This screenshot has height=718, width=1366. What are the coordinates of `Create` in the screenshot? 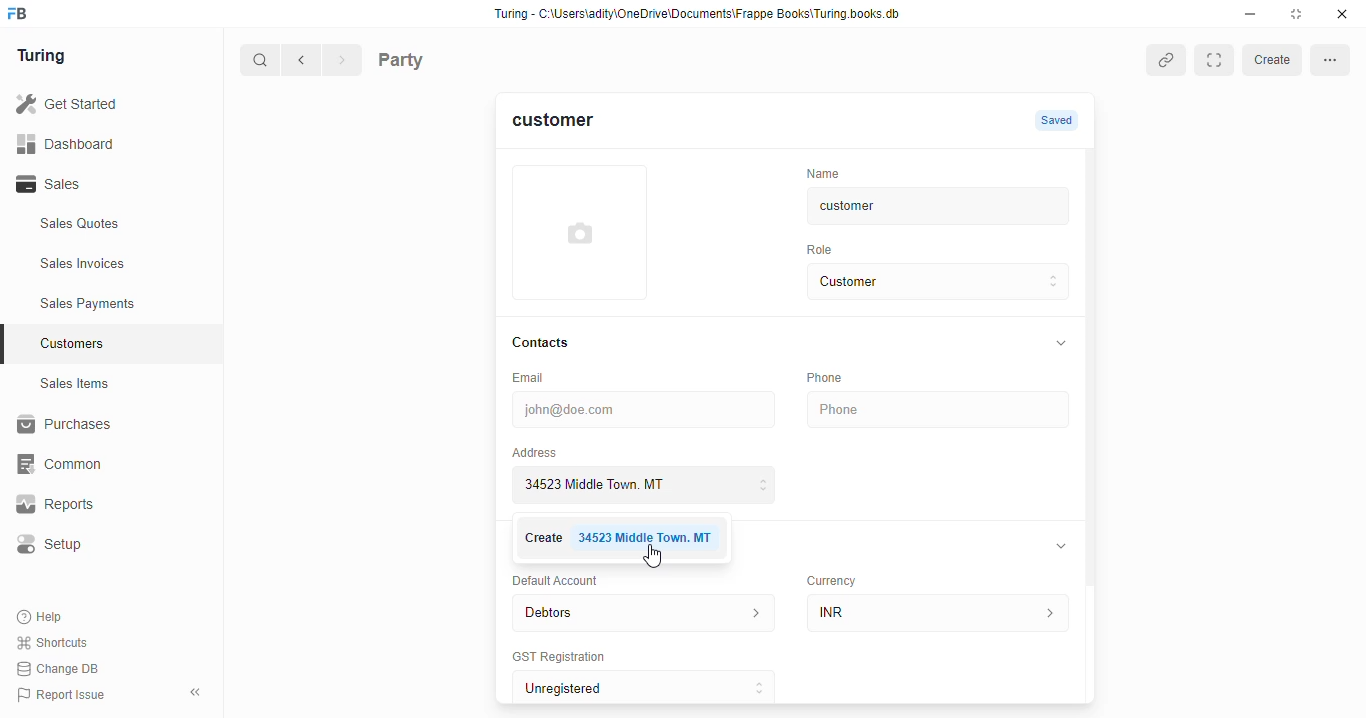 It's located at (544, 537).